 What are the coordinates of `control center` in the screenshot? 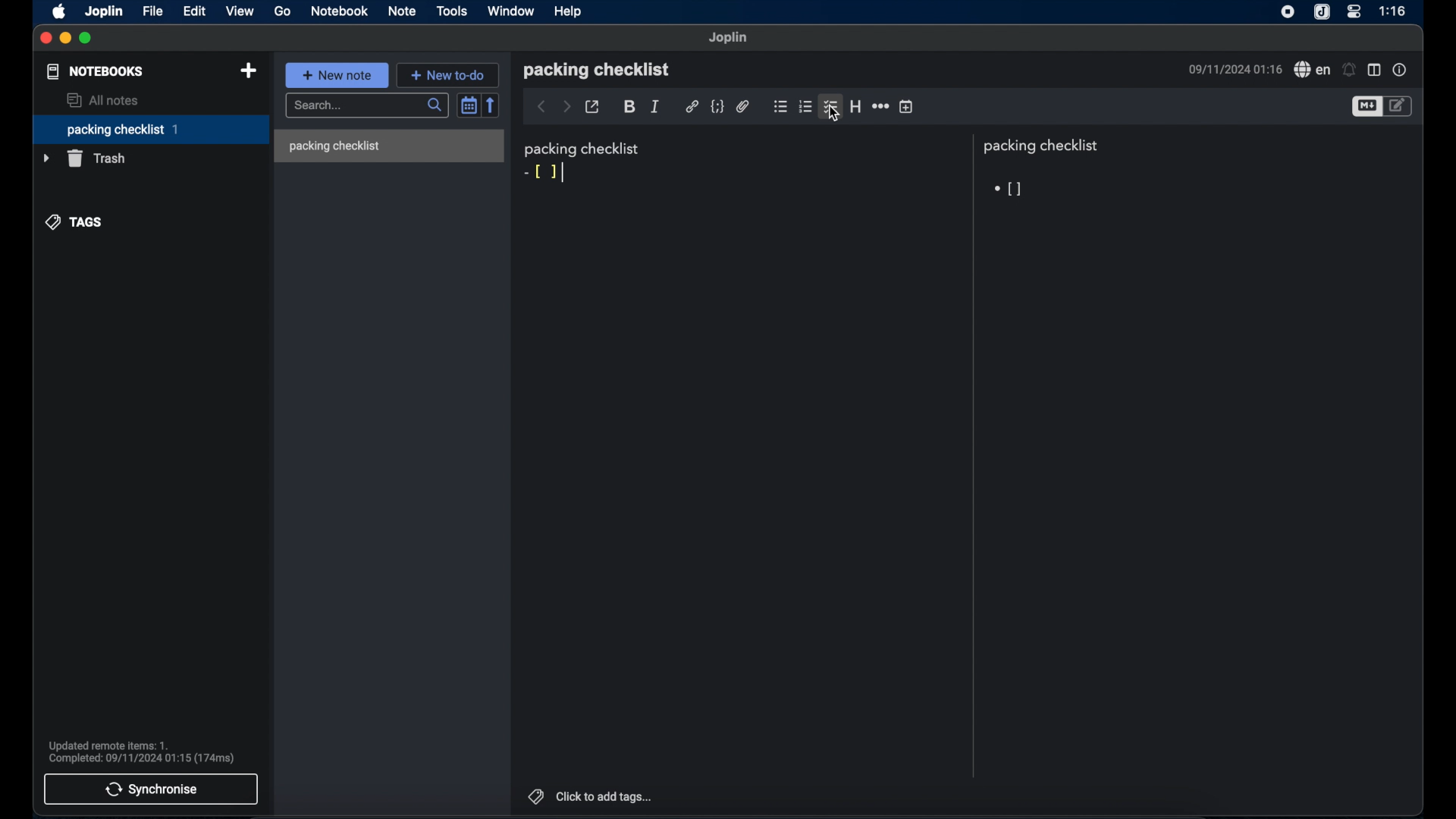 It's located at (1355, 11).